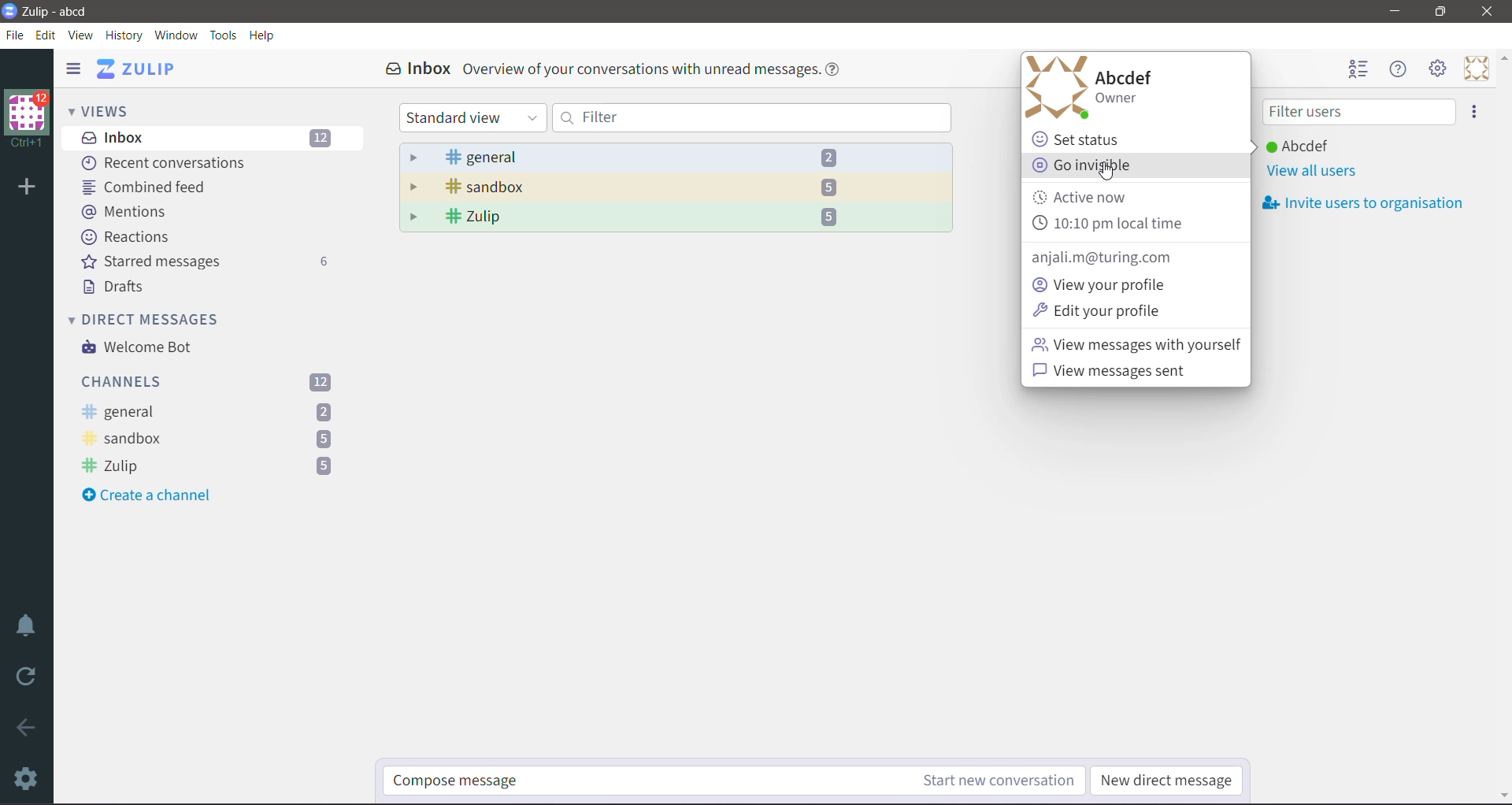 This screenshot has width=1512, height=805. Describe the element at coordinates (676, 187) in the screenshot. I see `sandbox - 5` at that location.